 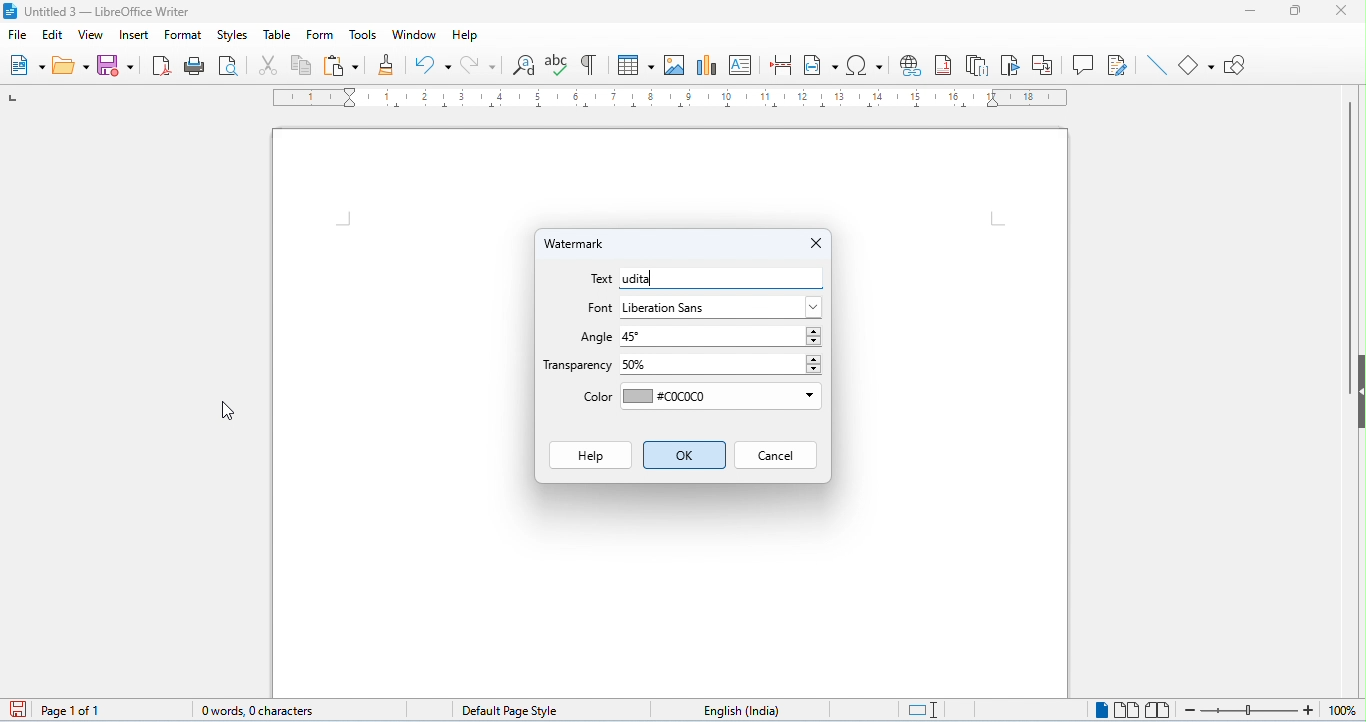 I want to click on text, so click(x=600, y=281).